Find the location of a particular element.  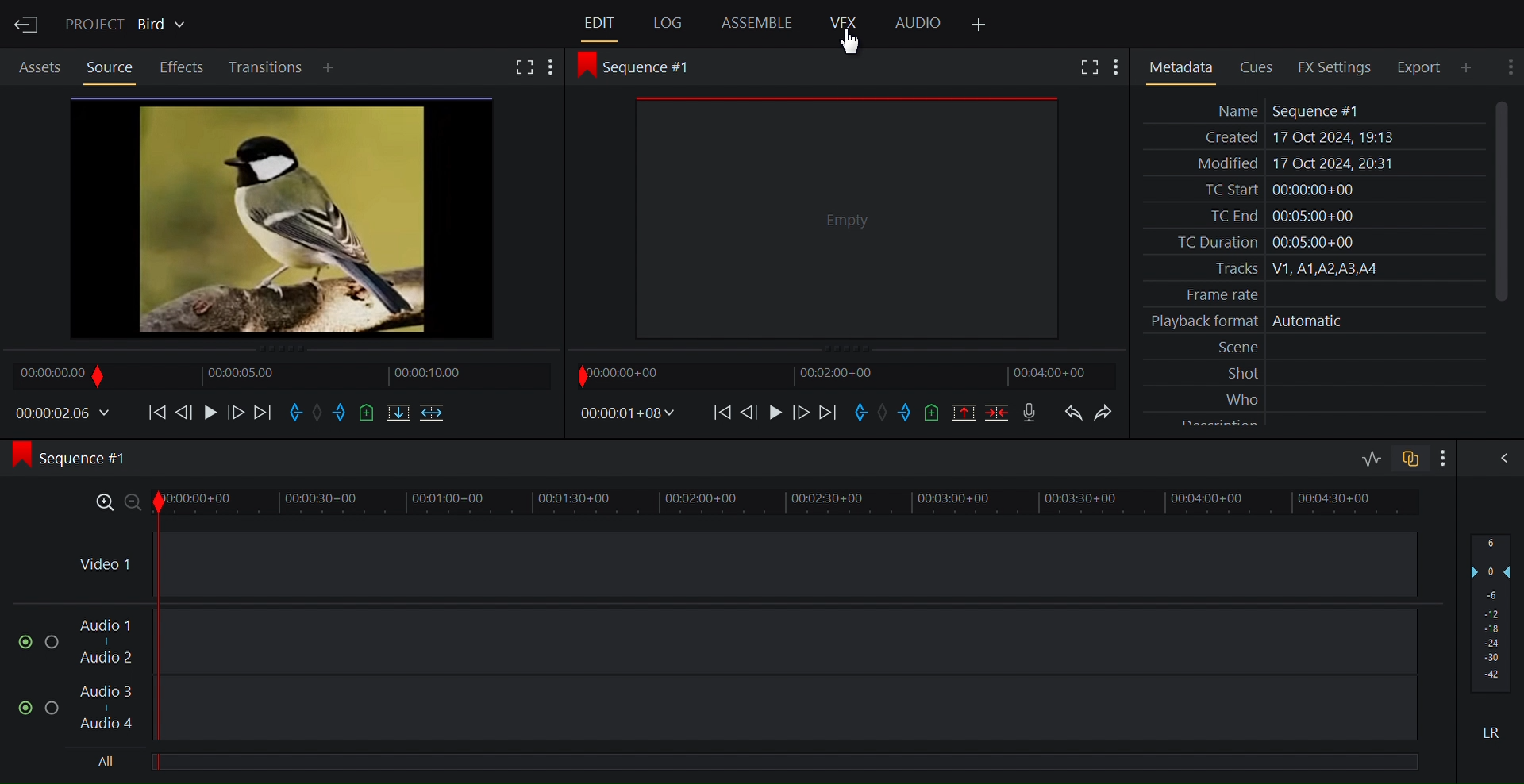

Mark out is located at coordinates (906, 414).